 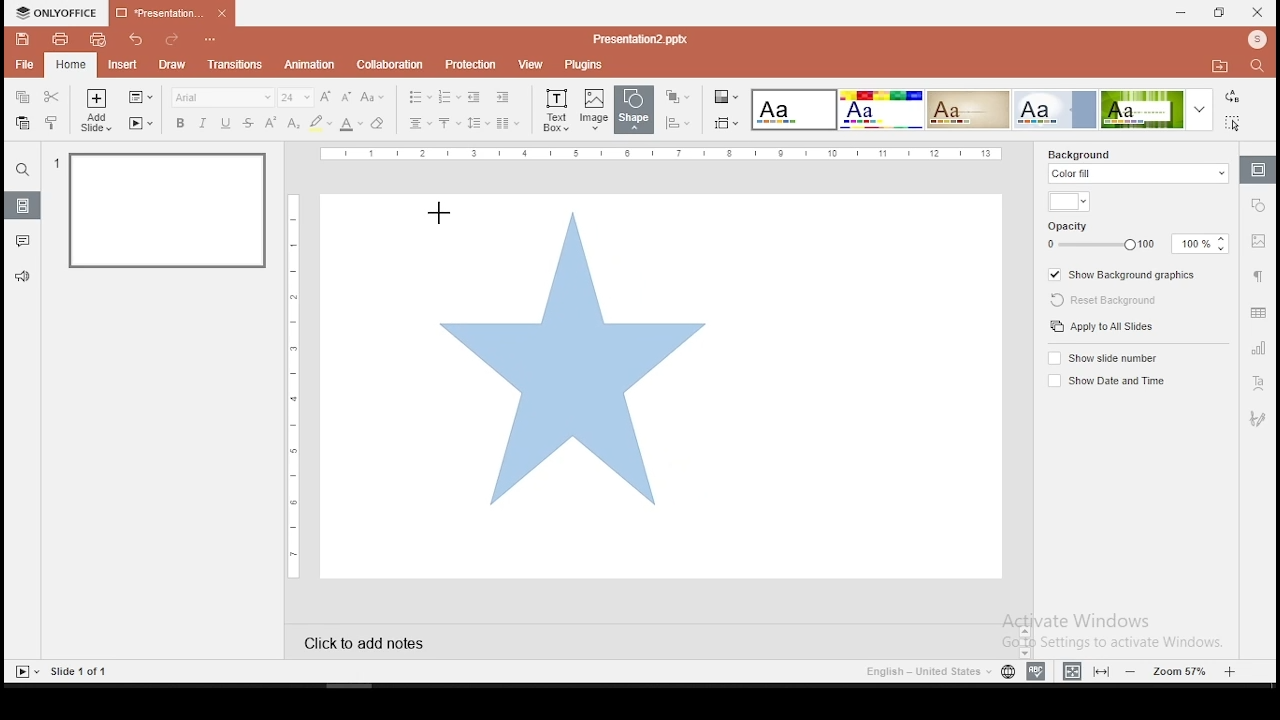 What do you see at coordinates (23, 169) in the screenshot?
I see `search` at bounding box center [23, 169].